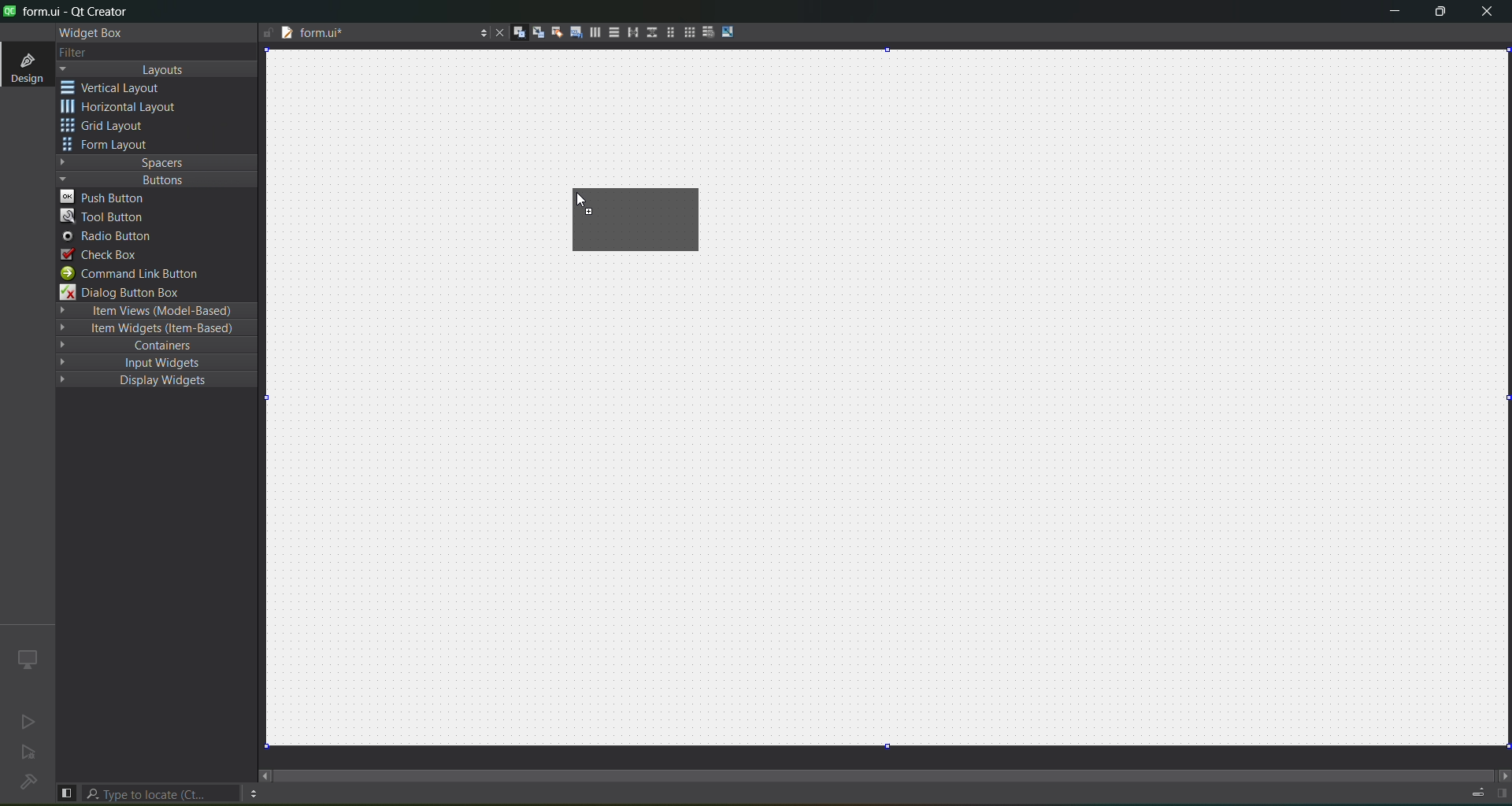 The width and height of the screenshot is (1512, 806). I want to click on no active project, so click(29, 755).